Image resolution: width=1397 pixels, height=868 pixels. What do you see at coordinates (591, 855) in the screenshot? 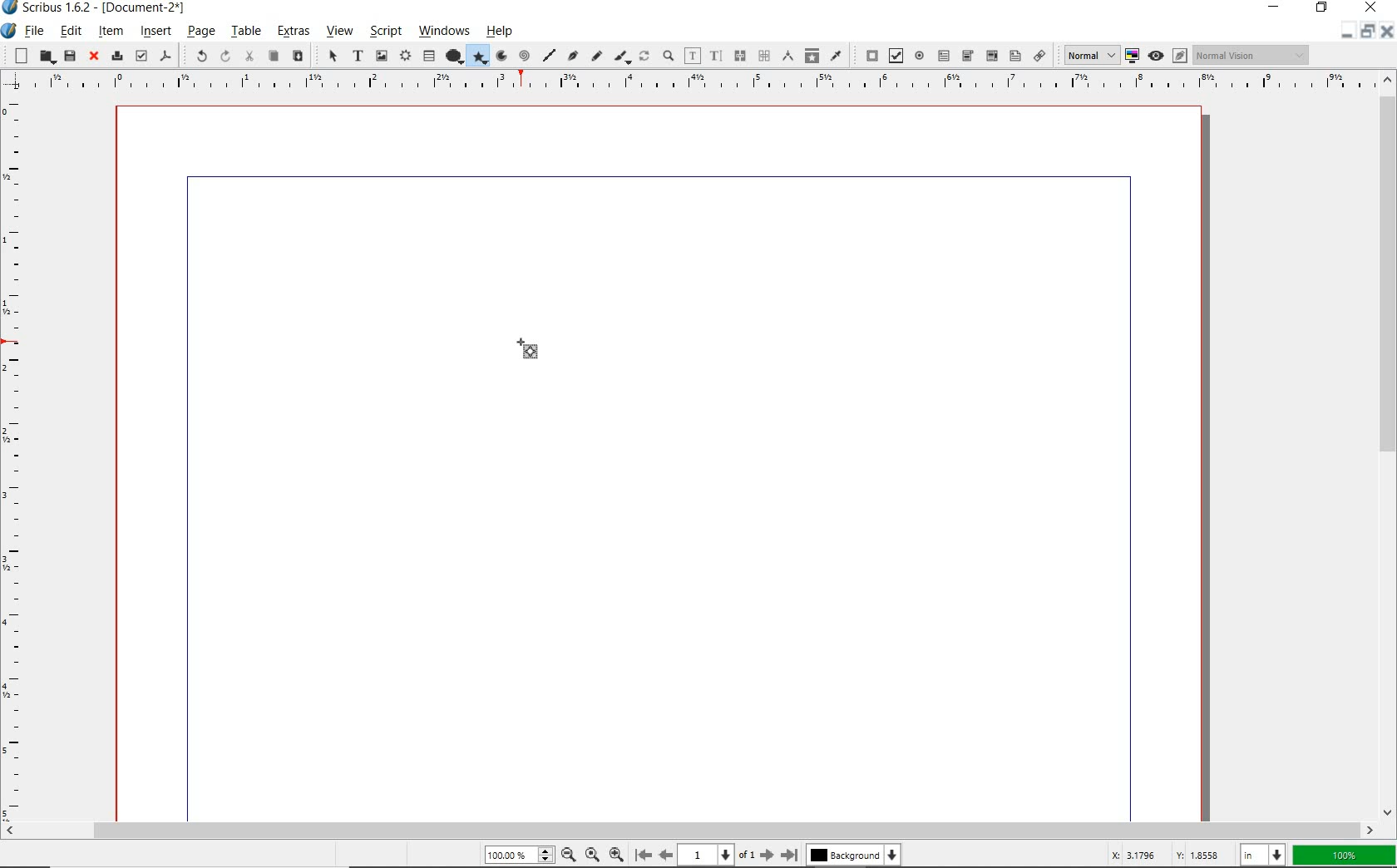
I see `zoom to` at bounding box center [591, 855].